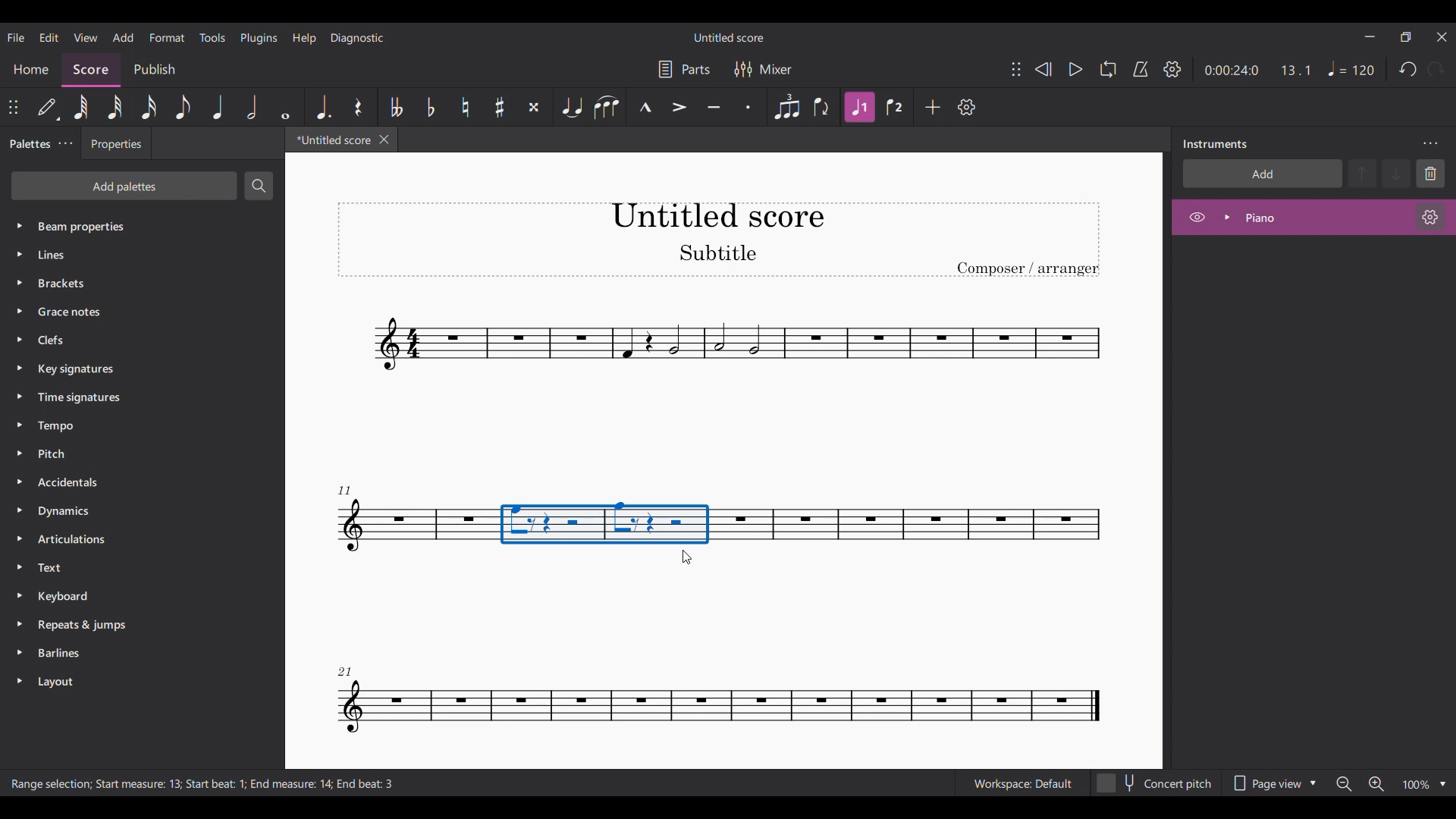 This screenshot has width=1456, height=819. What do you see at coordinates (860, 107) in the screenshot?
I see `Highlighted after selection` at bounding box center [860, 107].